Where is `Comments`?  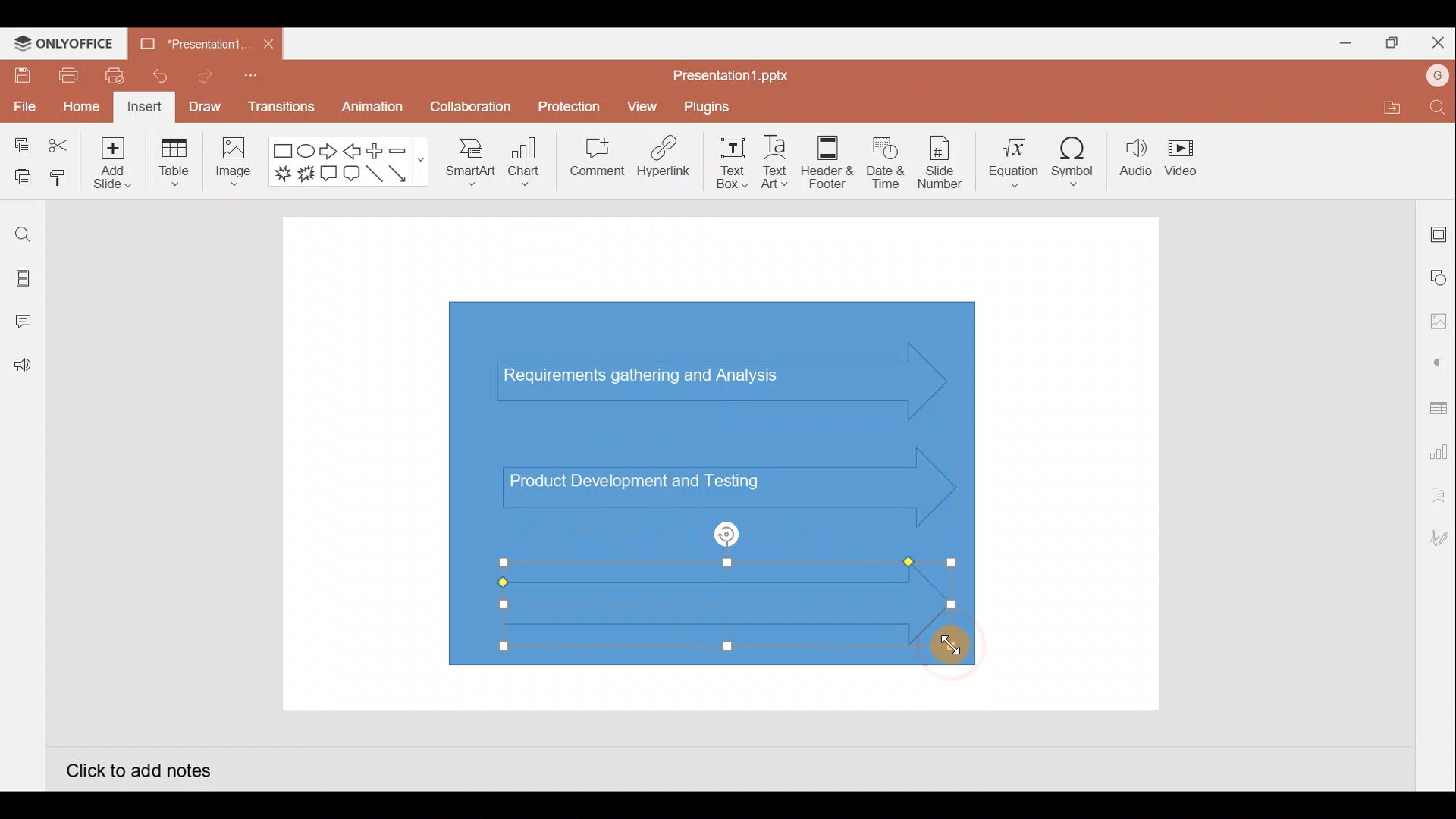 Comments is located at coordinates (27, 323).